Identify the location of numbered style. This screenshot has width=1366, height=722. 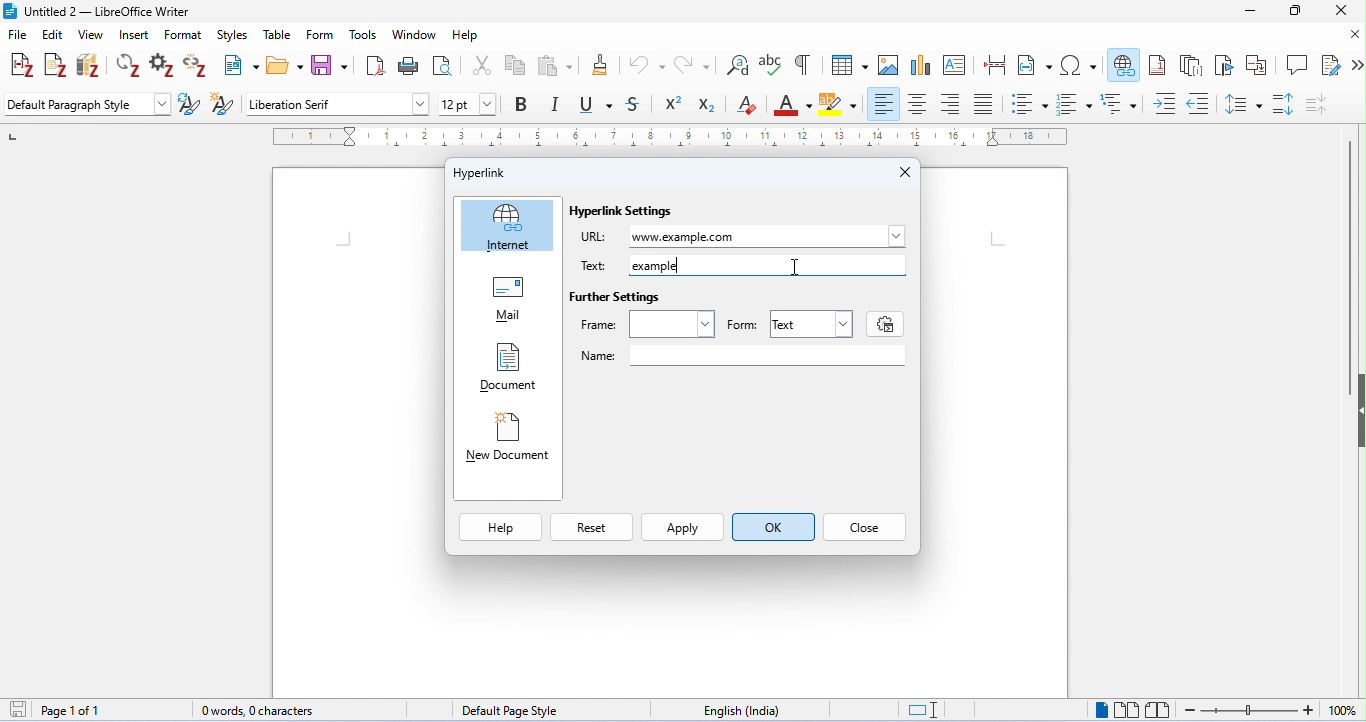
(1076, 105).